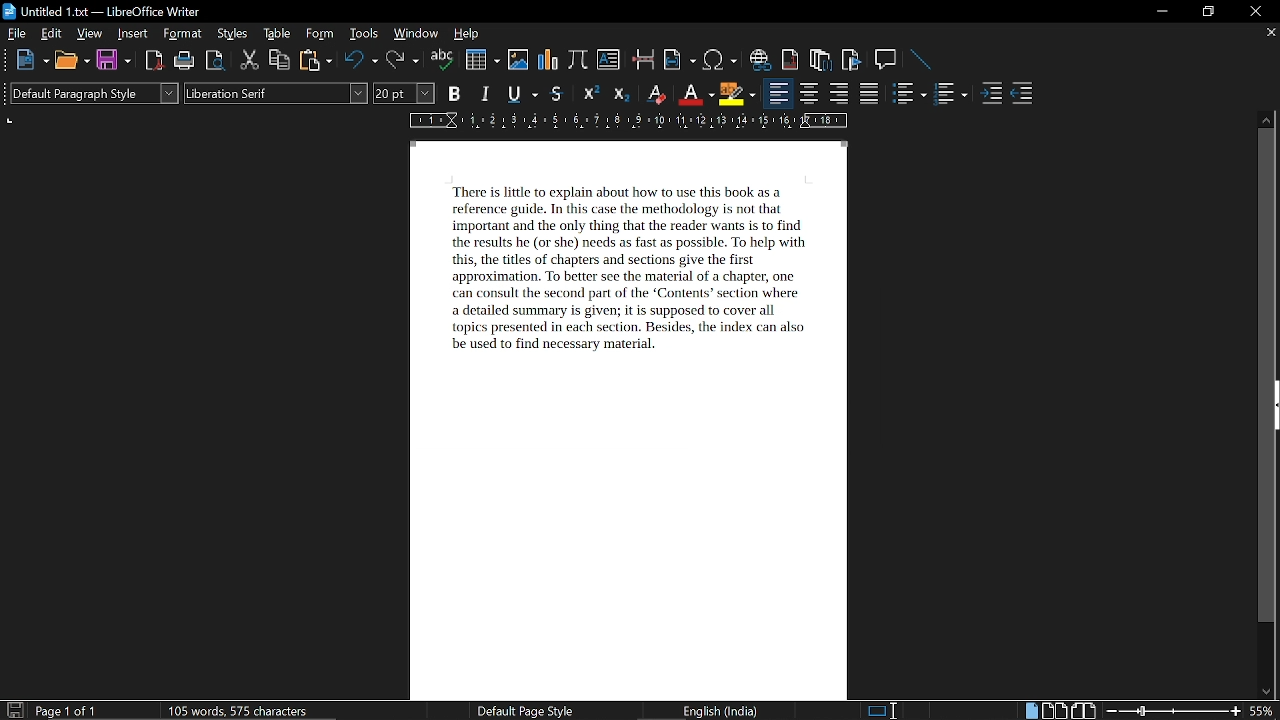 This screenshot has height=720, width=1280. Describe the element at coordinates (627, 119) in the screenshot. I see `scale` at that location.